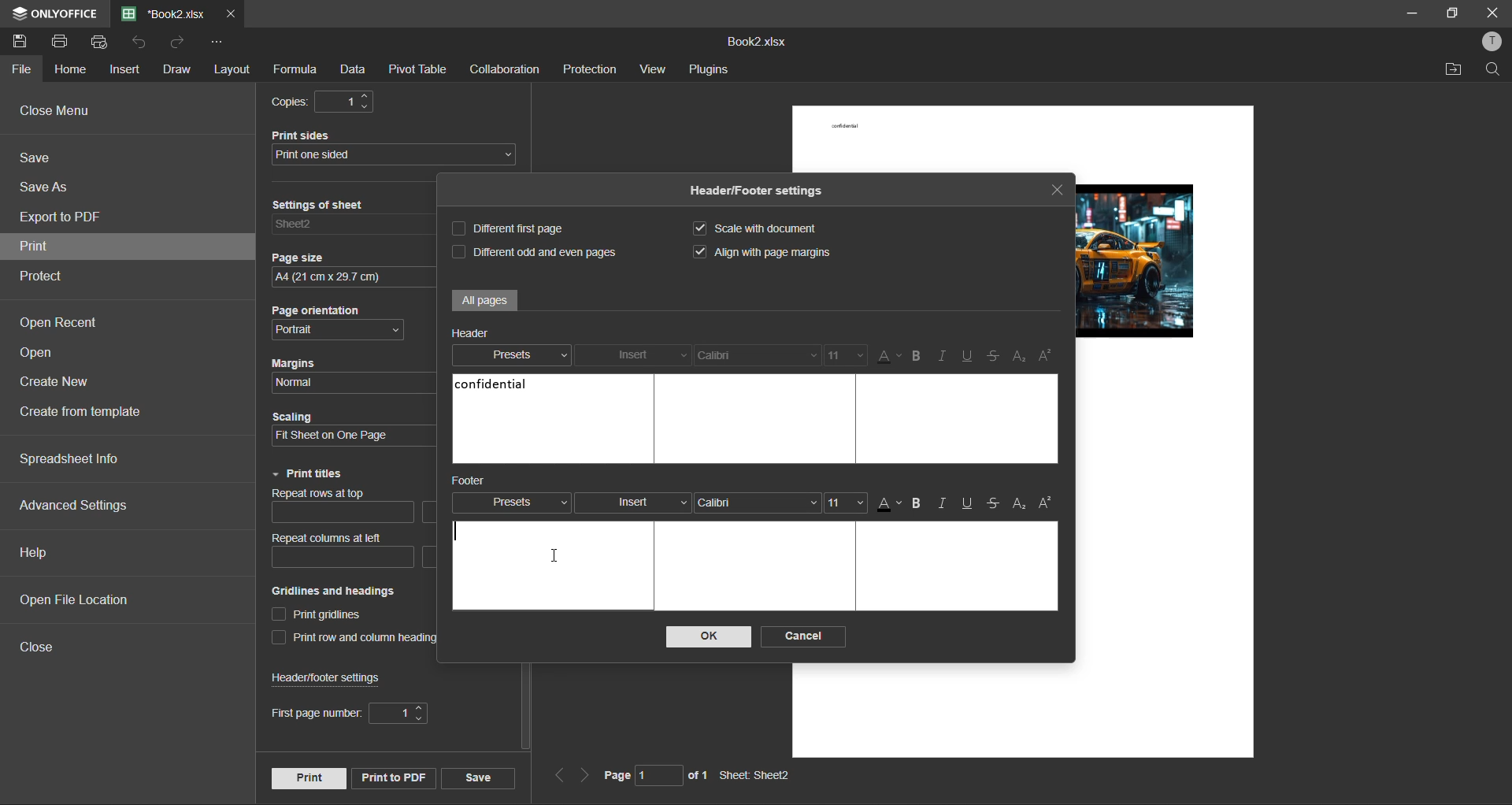  I want to click on print titles, so click(313, 474).